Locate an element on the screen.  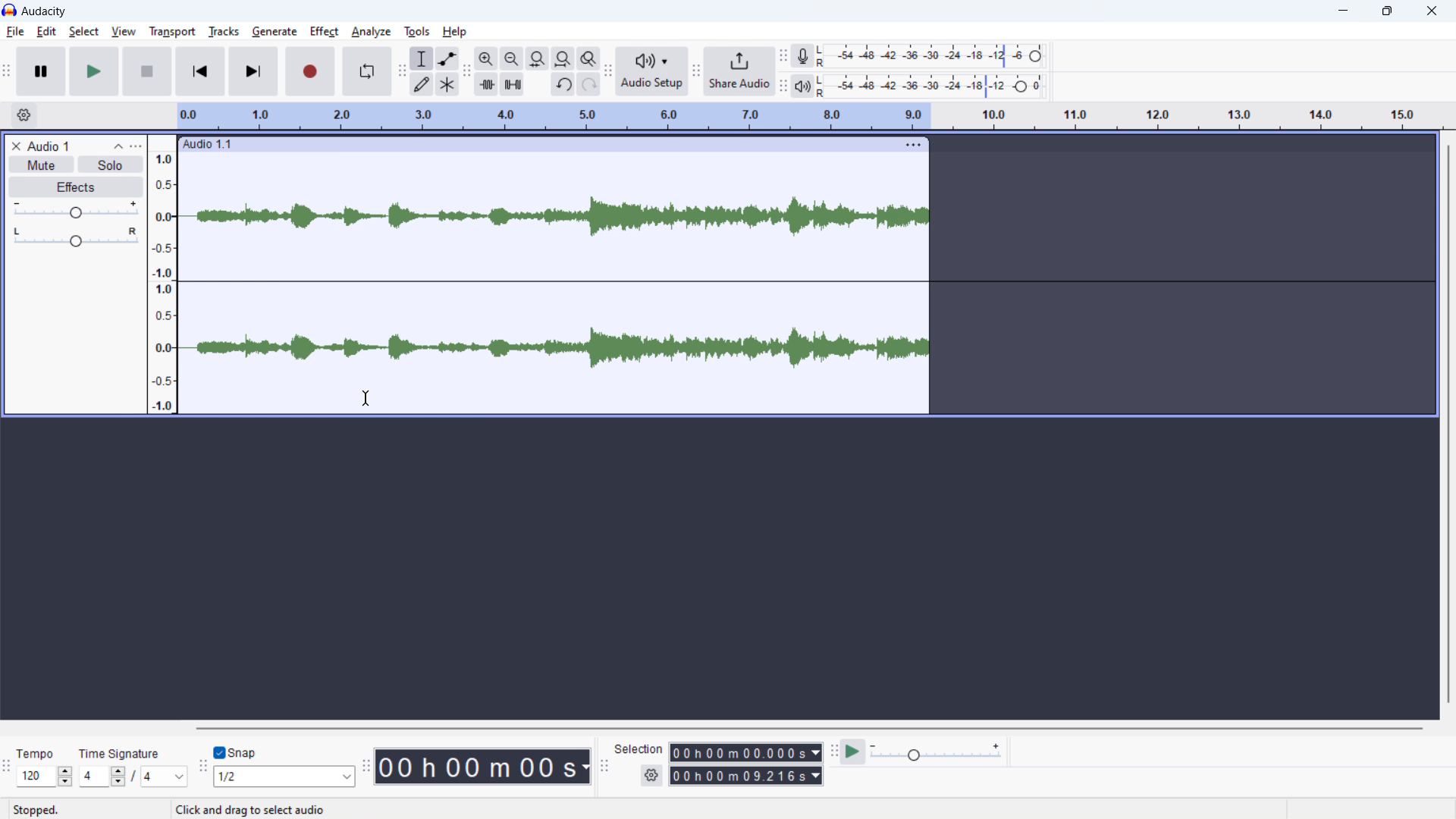
selection settings is located at coordinates (651, 775).